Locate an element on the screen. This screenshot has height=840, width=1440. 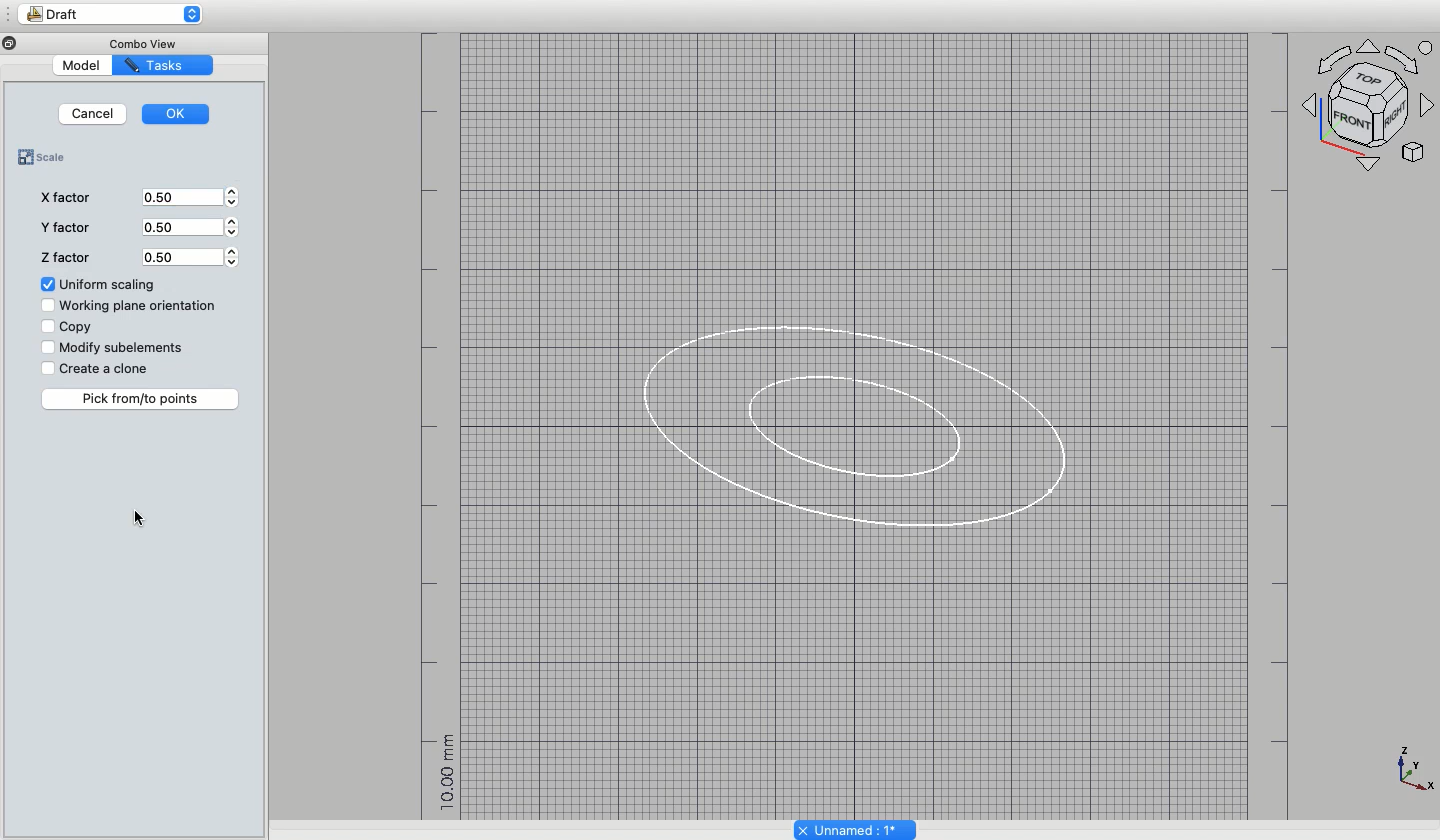
Create a clone is located at coordinates (99, 368).